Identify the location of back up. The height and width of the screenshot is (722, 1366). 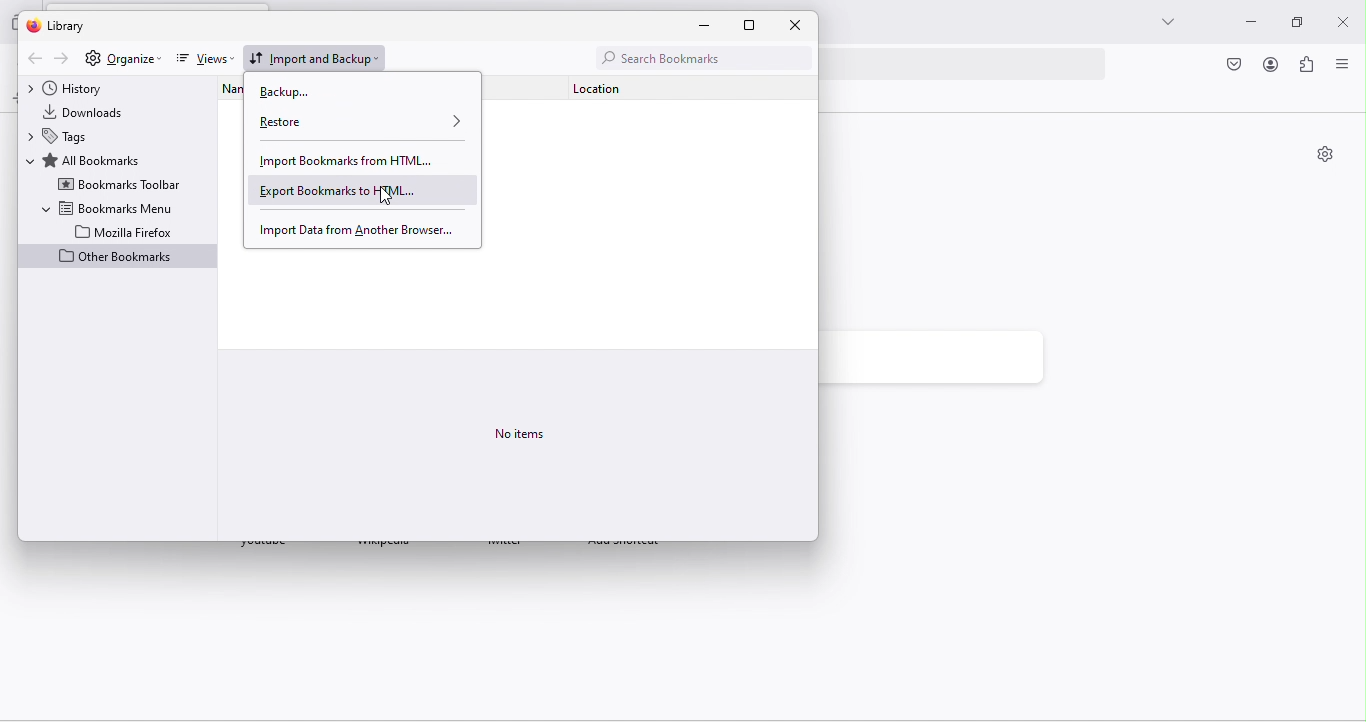
(299, 92).